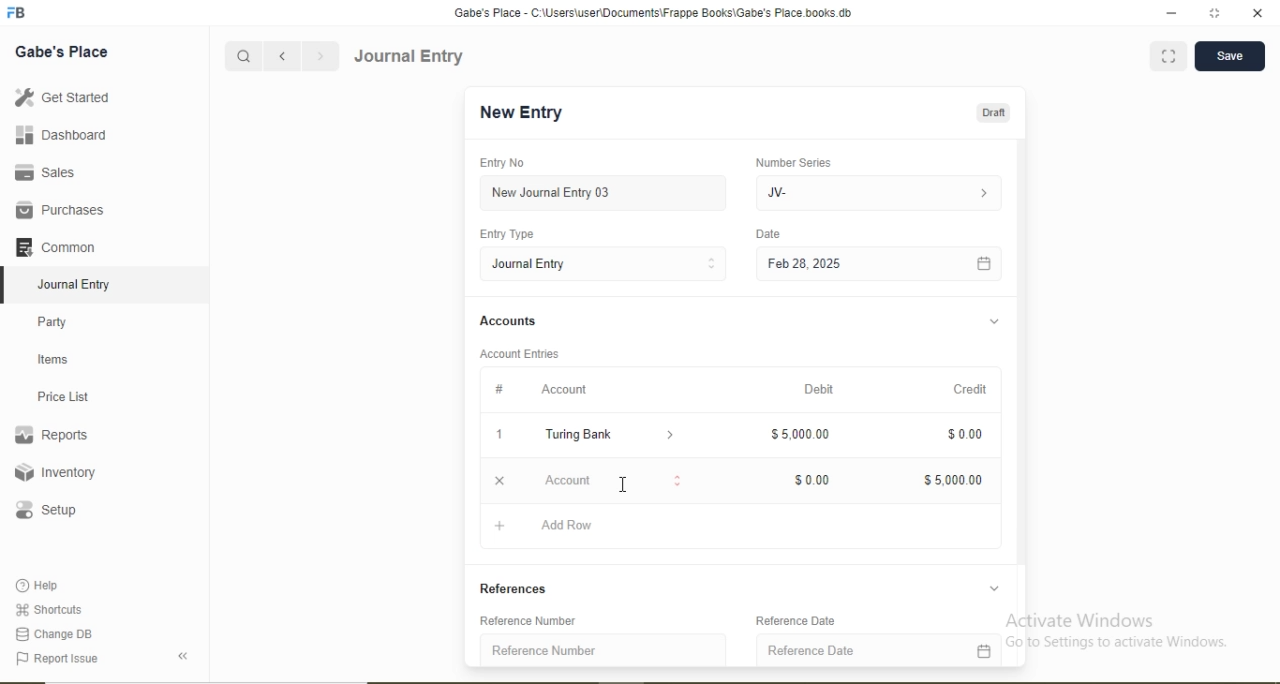 The width and height of the screenshot is (1280, 684). Describe the element at coordinates (954, 481) in the screenshot. I see `$5,000.00` at that location.